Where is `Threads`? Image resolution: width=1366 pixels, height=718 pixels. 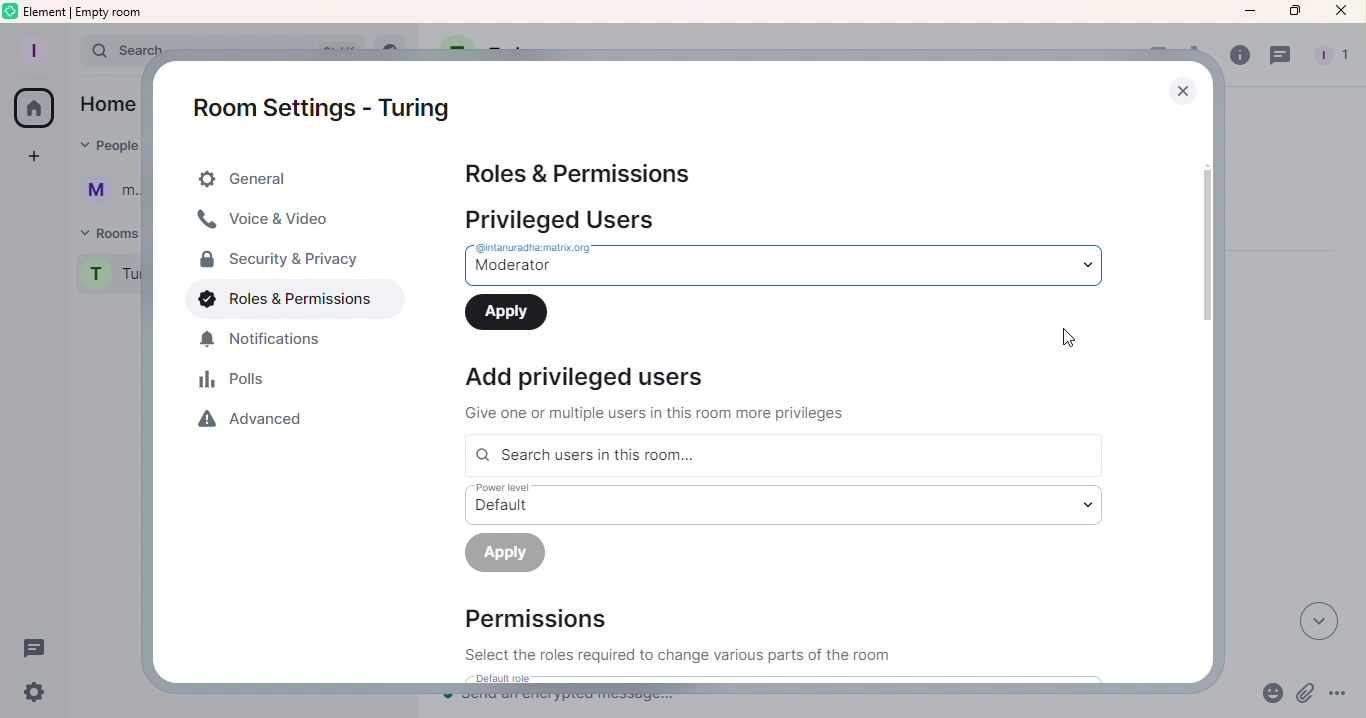
Threads is located at coordinates (1281, 59).